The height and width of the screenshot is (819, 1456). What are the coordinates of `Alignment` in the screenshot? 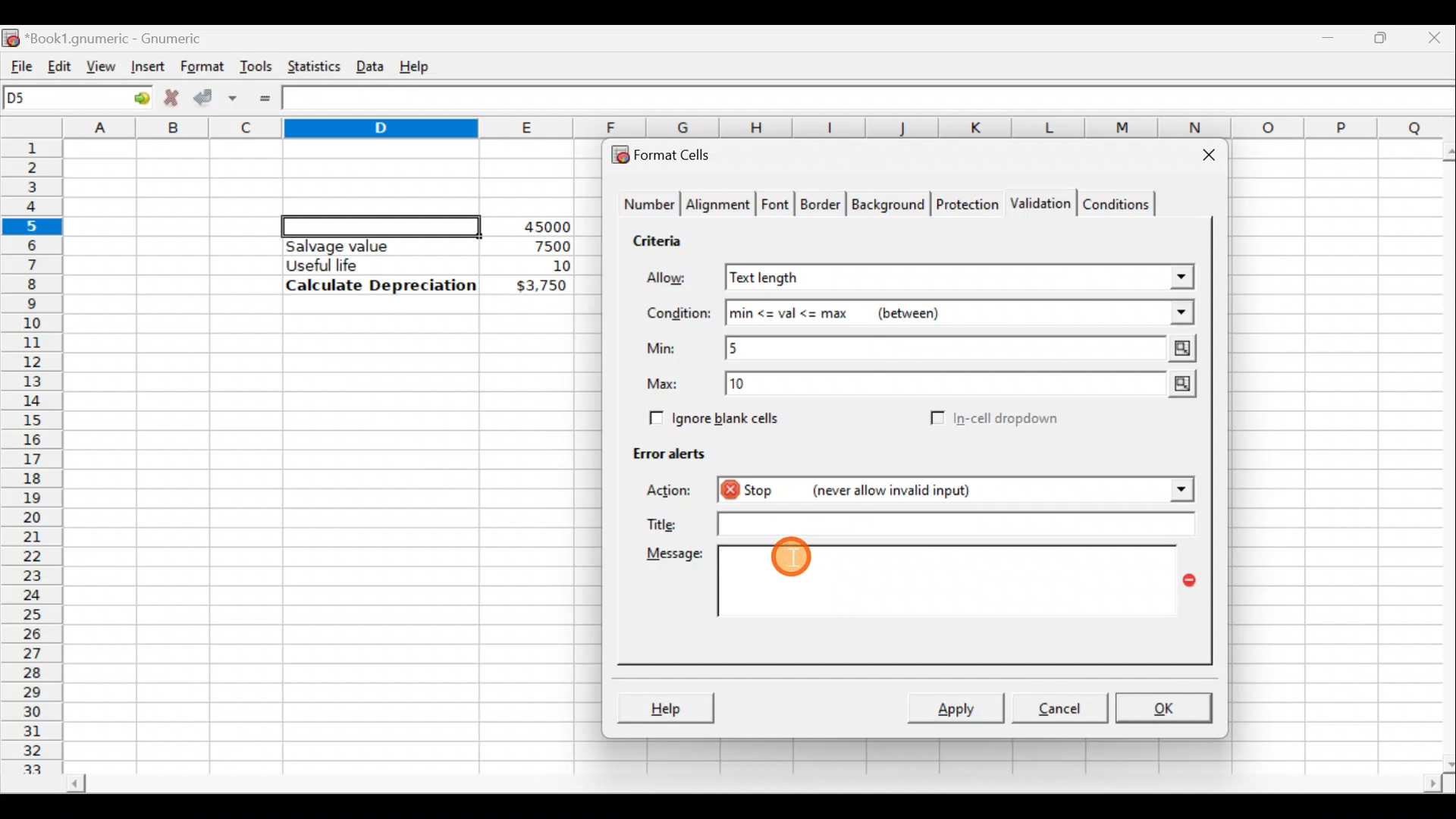 It's located at (719, 206).